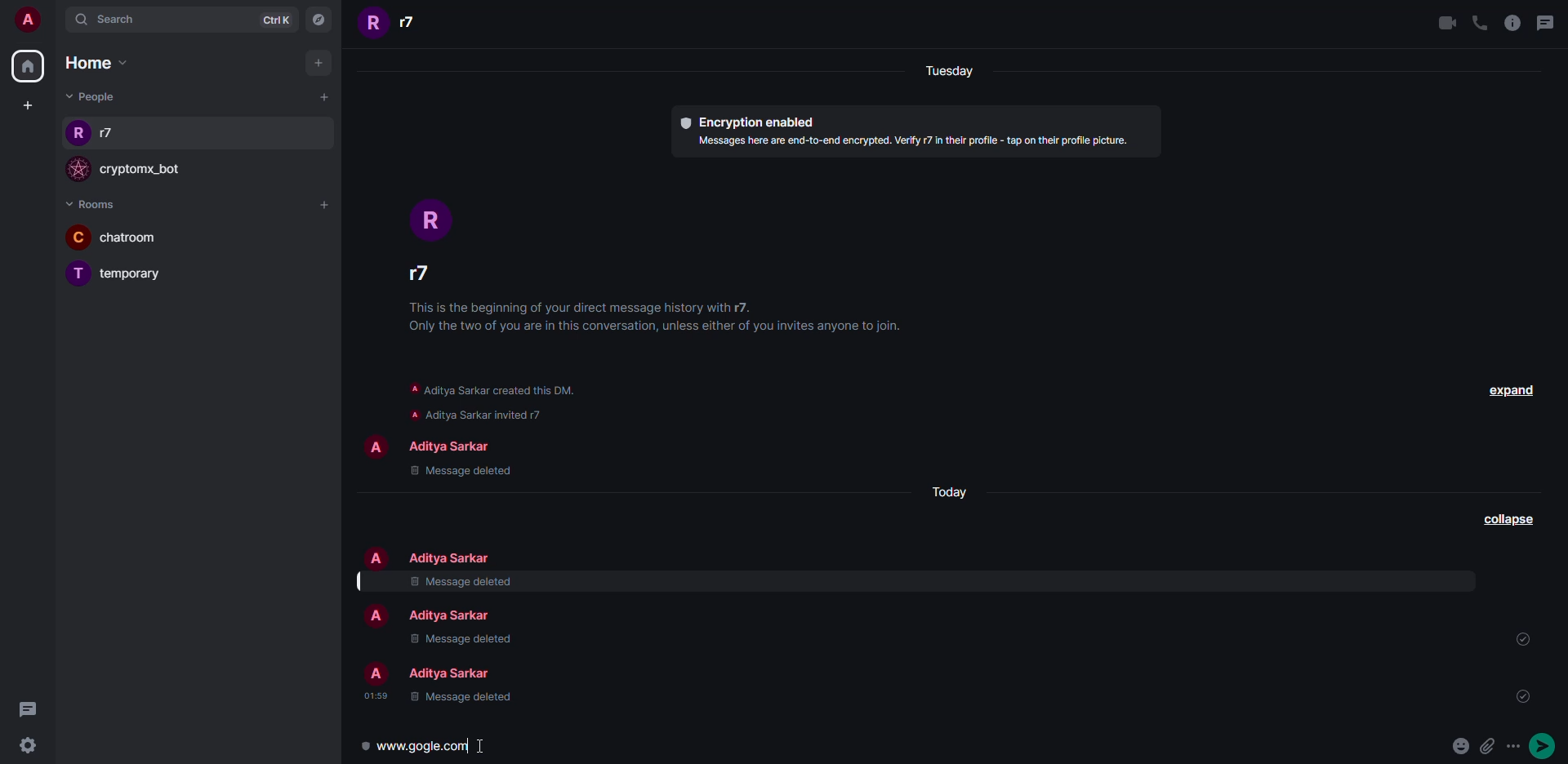 Image resolution: width=1568 pixels, height=764 pixels. What do you see at coordinates (1514, 746) in the screenshot?
I see `more` at bounding box center [1514, 746].